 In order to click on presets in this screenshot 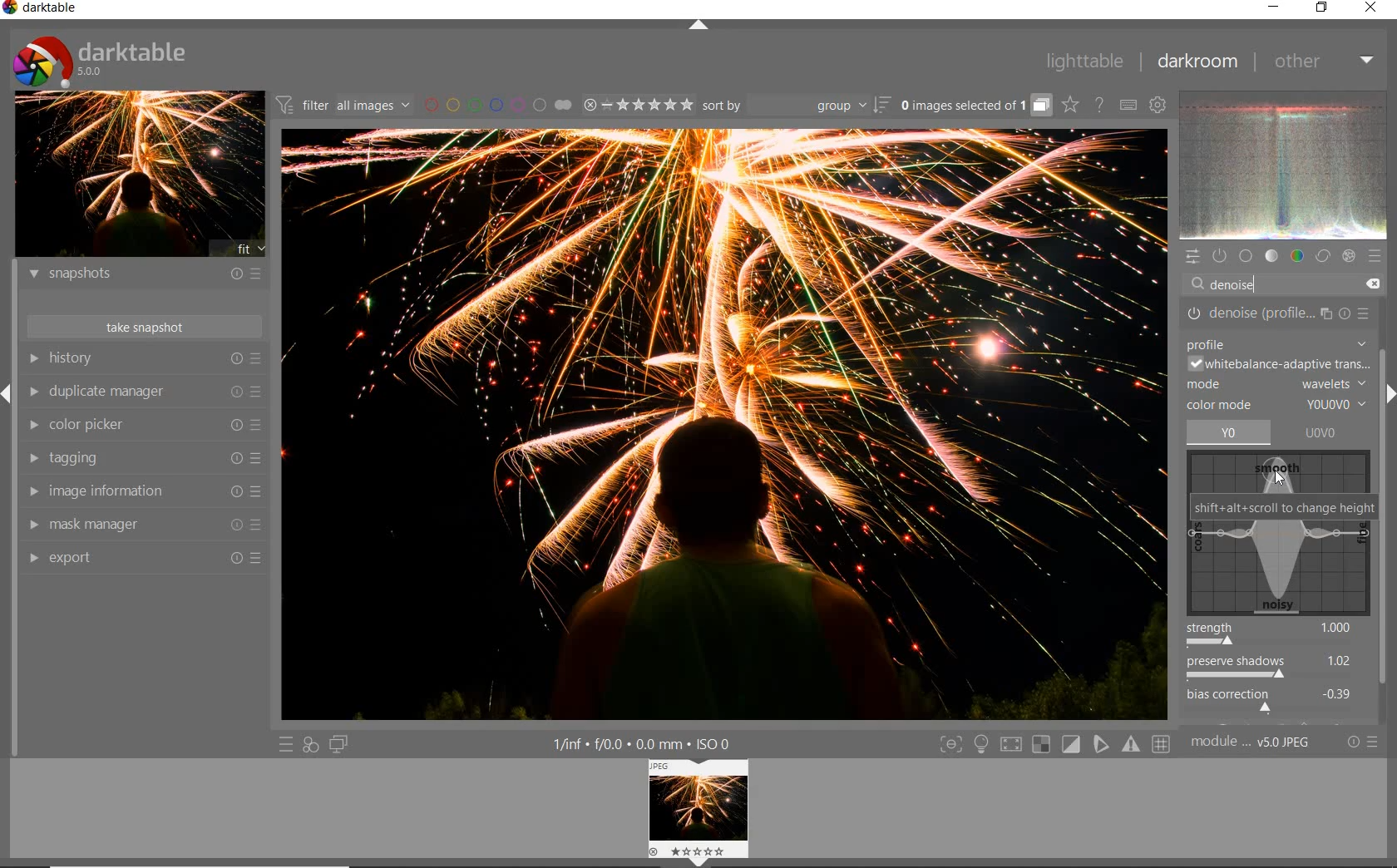, I will do `click(1376, 257)`.